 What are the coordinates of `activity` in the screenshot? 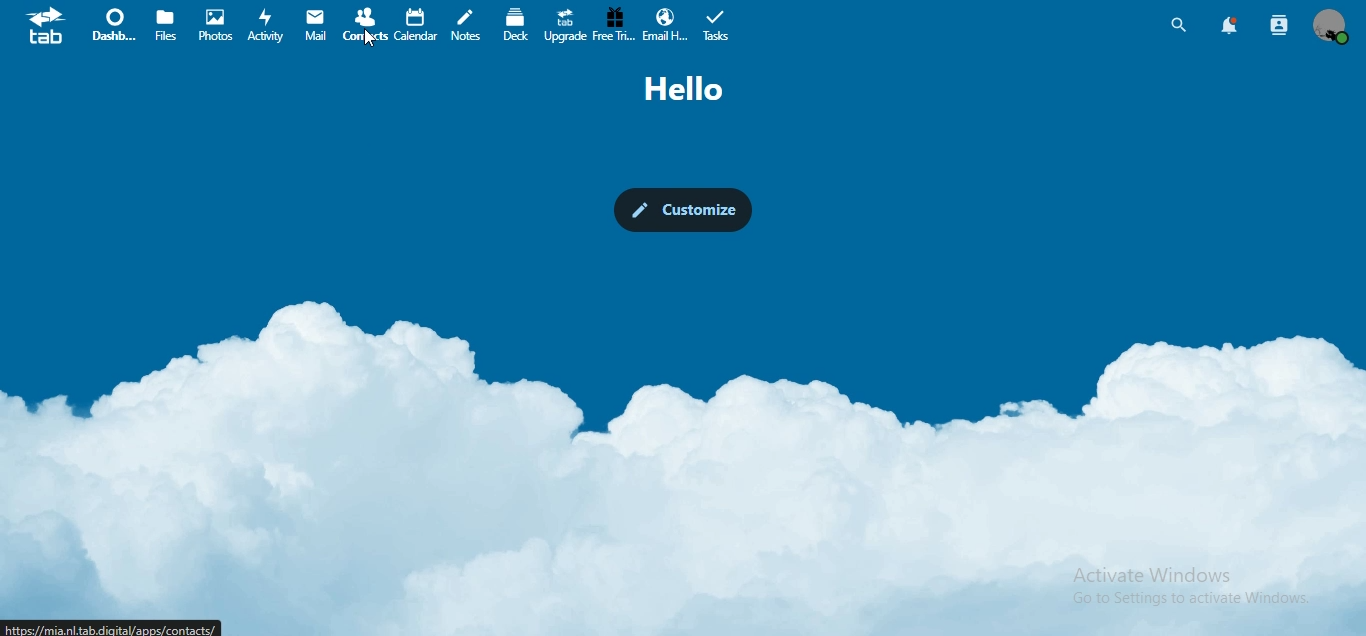 It's located at (265, 25).